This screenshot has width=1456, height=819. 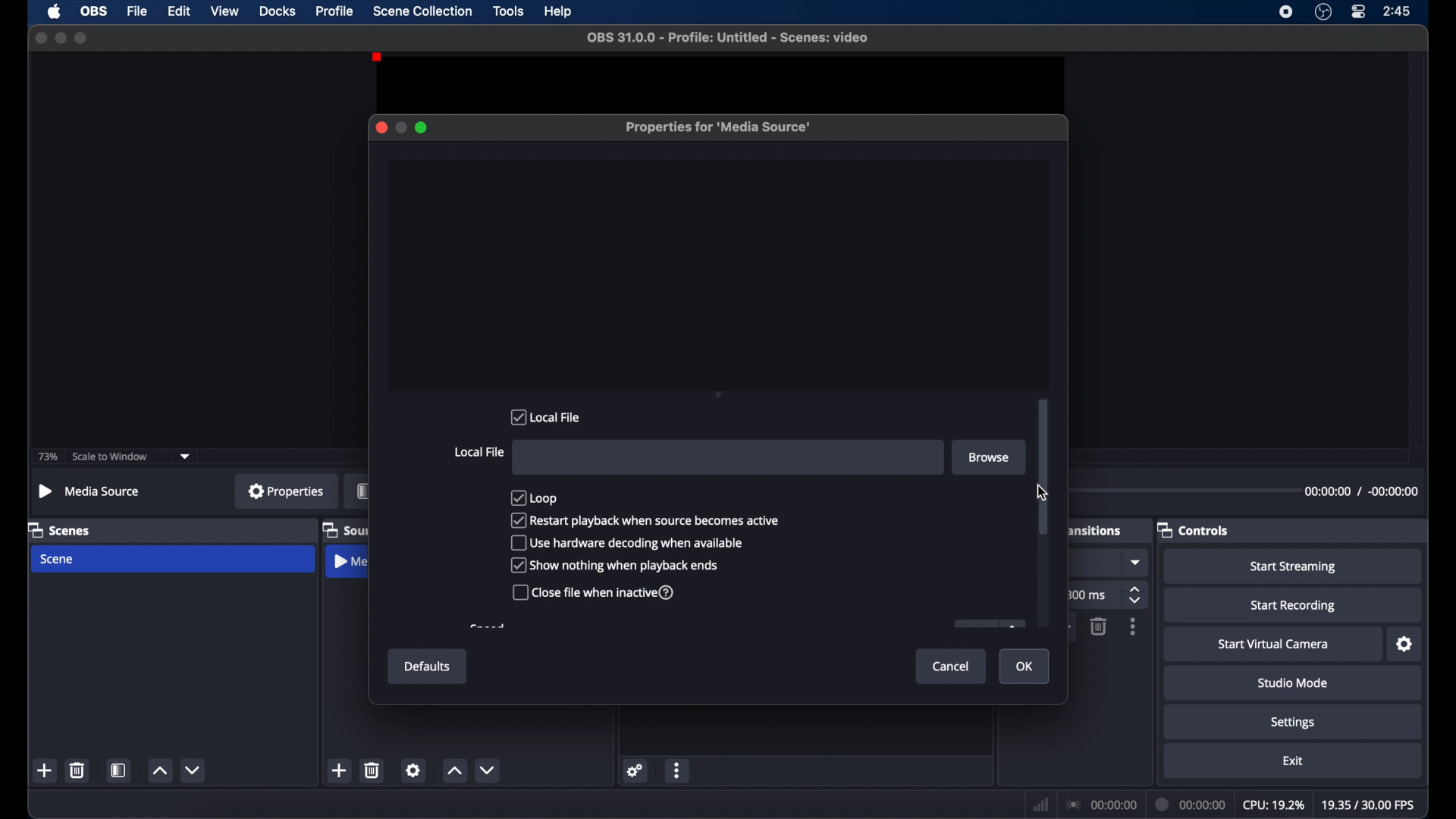 What do you see at coordinates (720, 128) in the screenshot?
I see `properties for media source` at bounding box center [720, 128].